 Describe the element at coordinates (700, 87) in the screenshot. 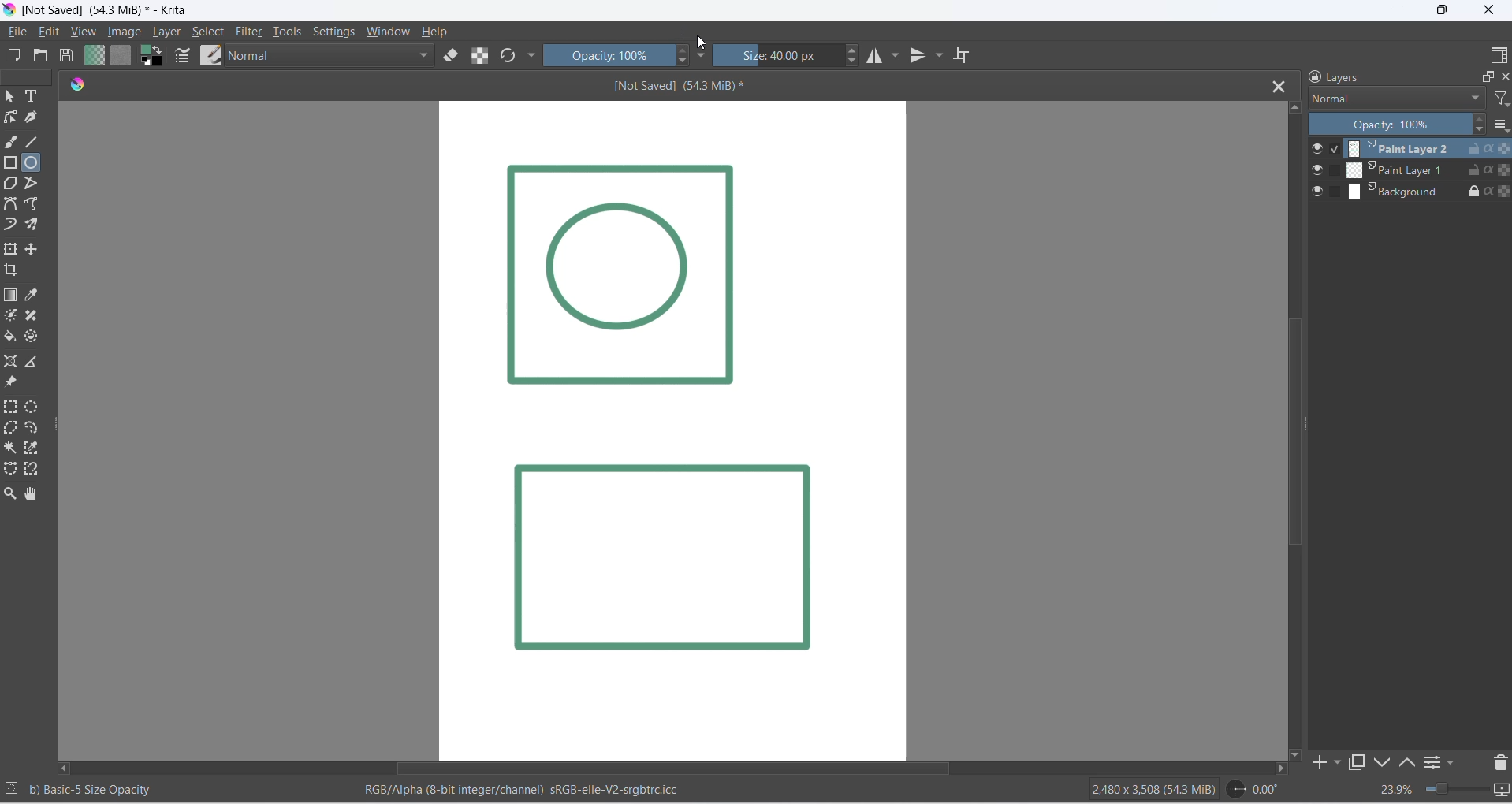

I see `[Not Saved] (48.1 MiB)*` at that location.